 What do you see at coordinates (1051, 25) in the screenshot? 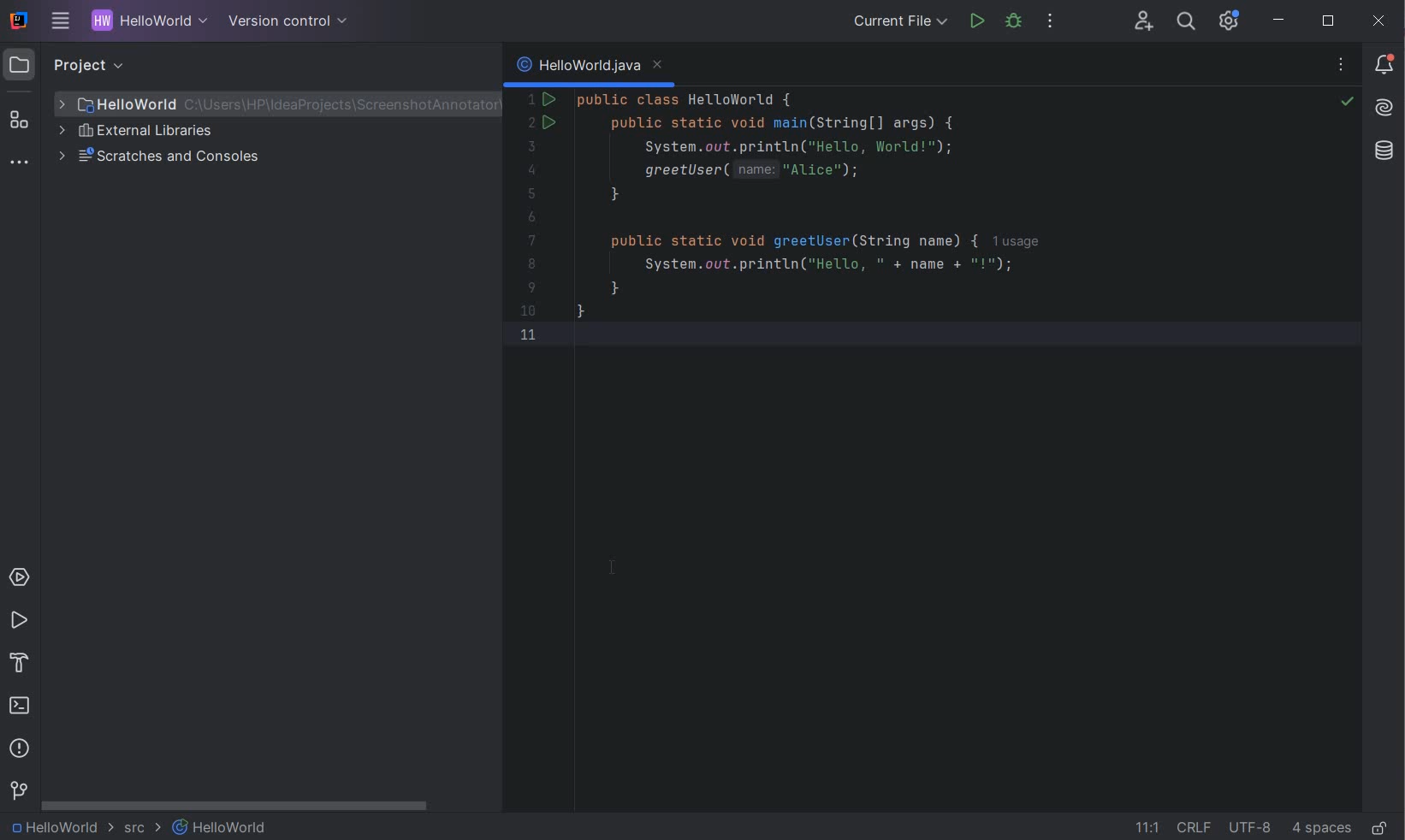
I see `MORE ACTIONS` at bounding box center [1051, 25].